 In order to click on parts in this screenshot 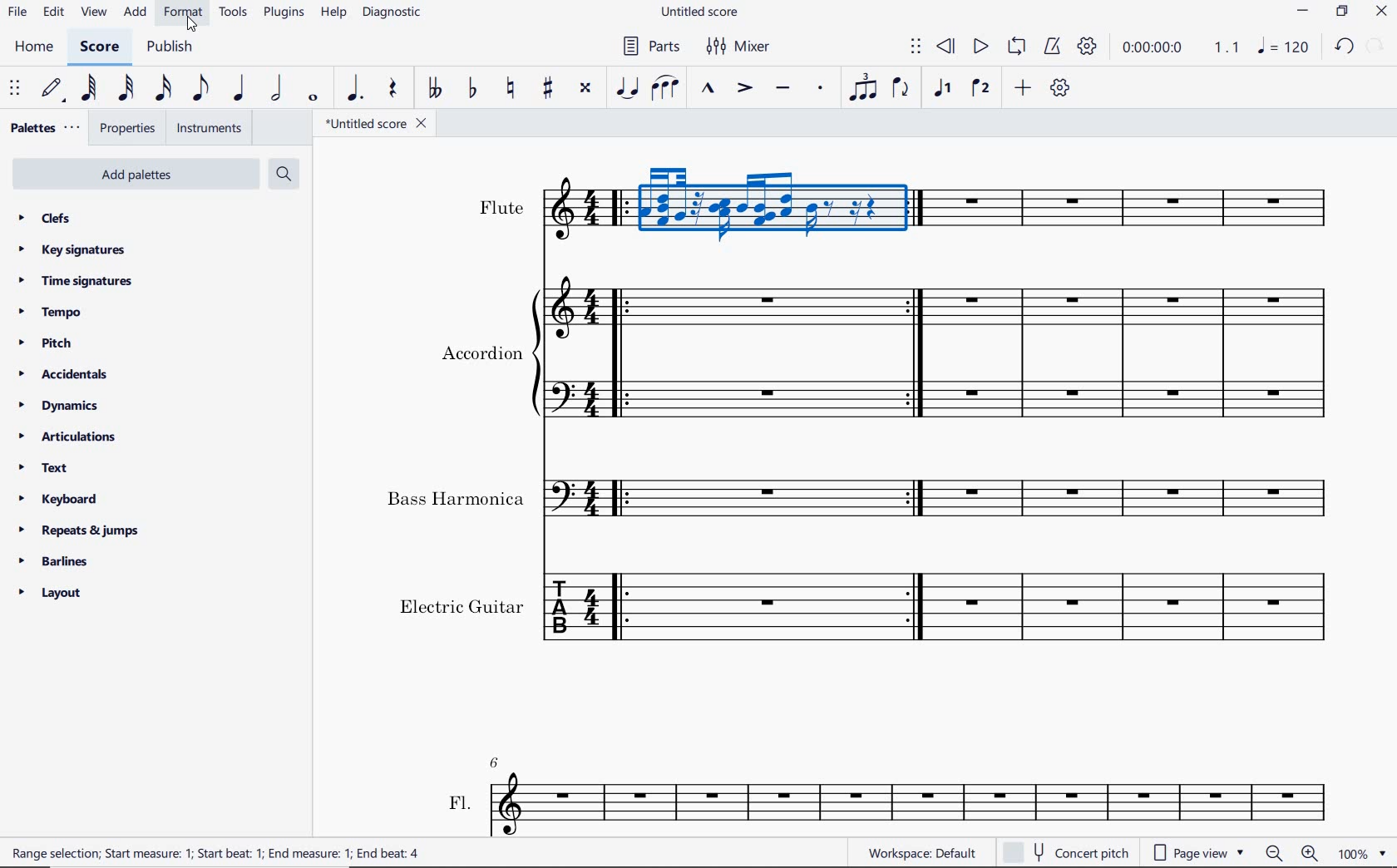, I will do `click(648, 46)`.